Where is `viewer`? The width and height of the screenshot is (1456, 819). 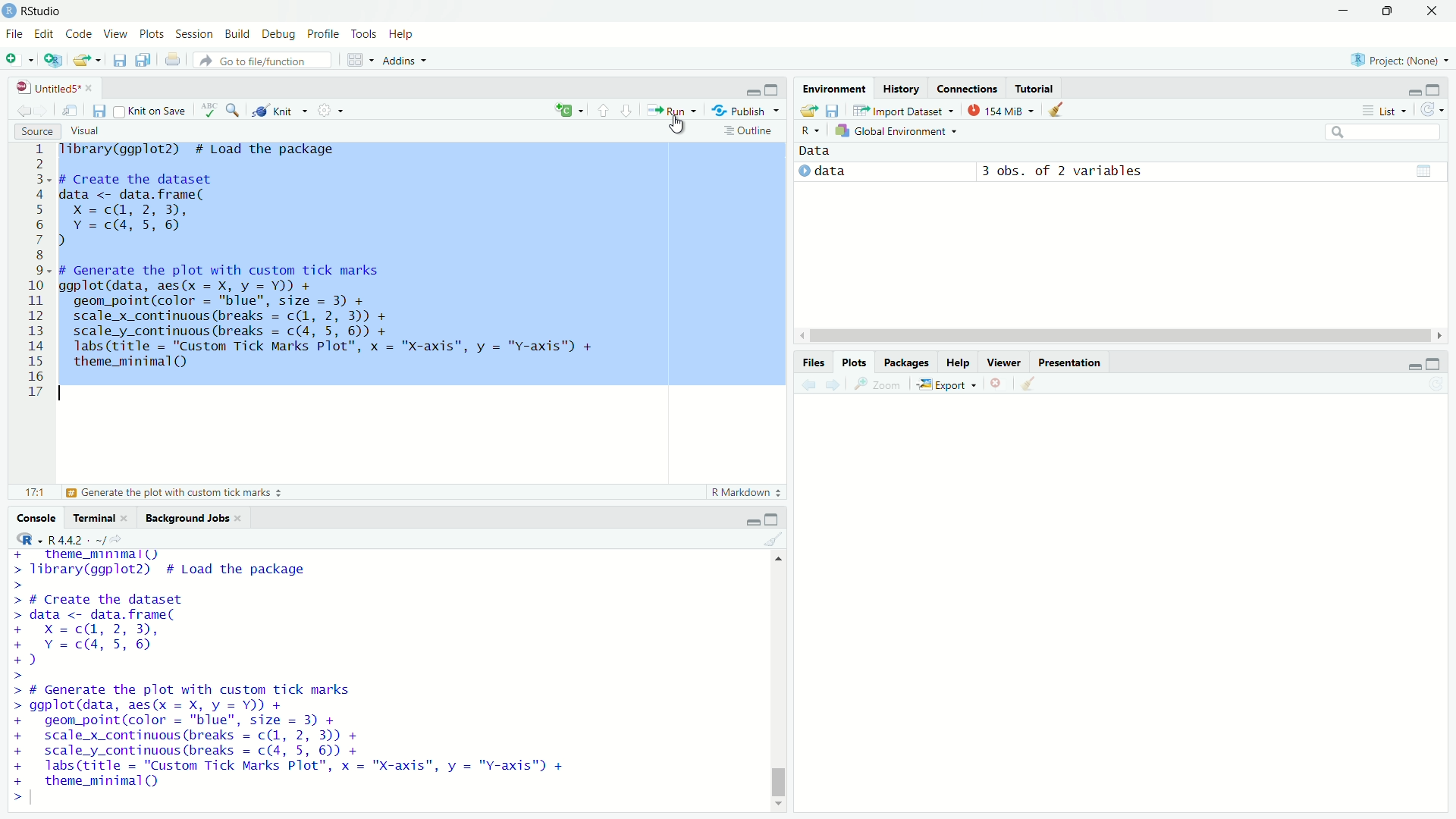
viewer is located at coordinates (1005, 361).